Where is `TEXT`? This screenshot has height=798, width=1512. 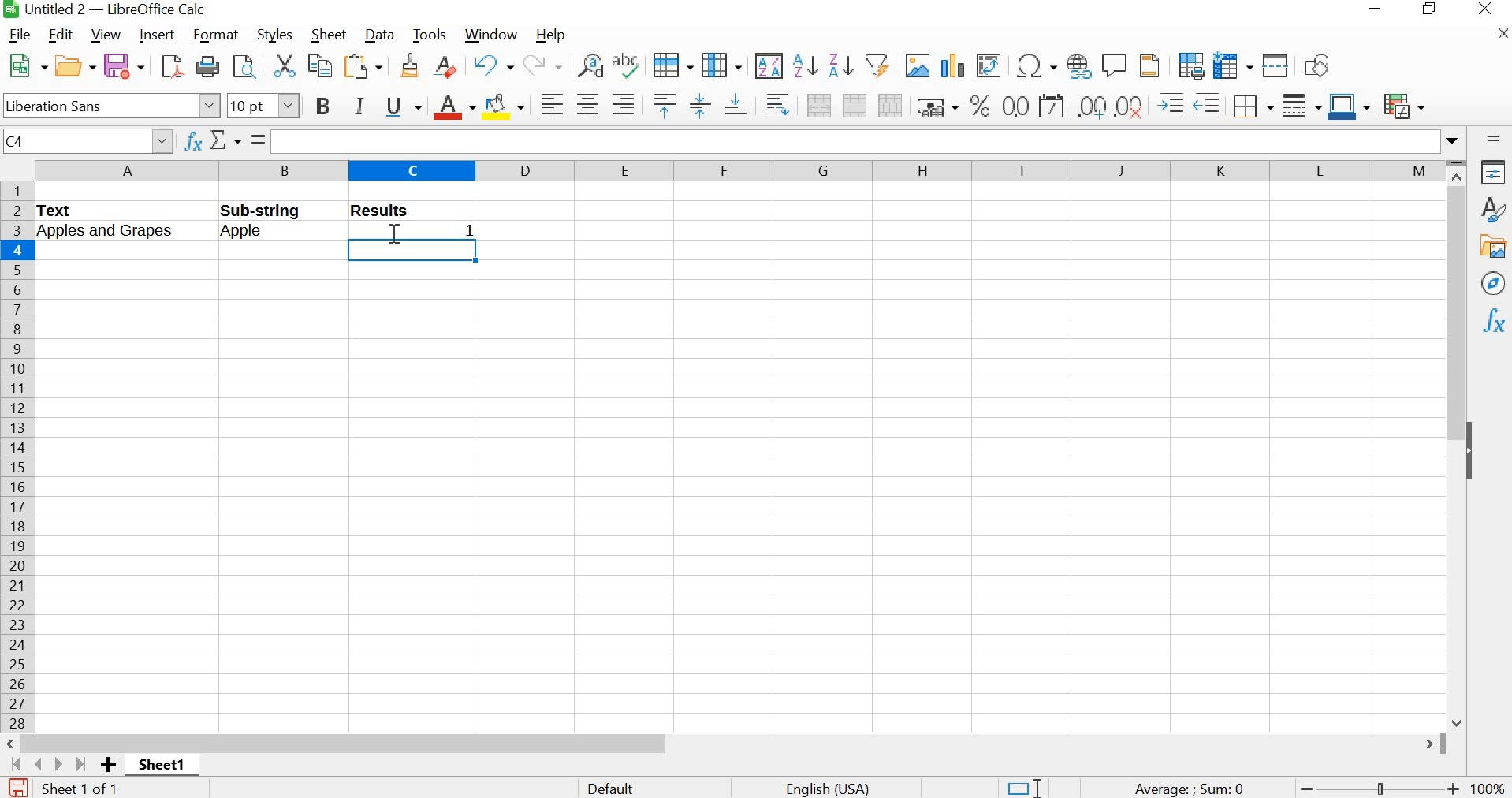 TEXT is located at coordinates (61, 211).